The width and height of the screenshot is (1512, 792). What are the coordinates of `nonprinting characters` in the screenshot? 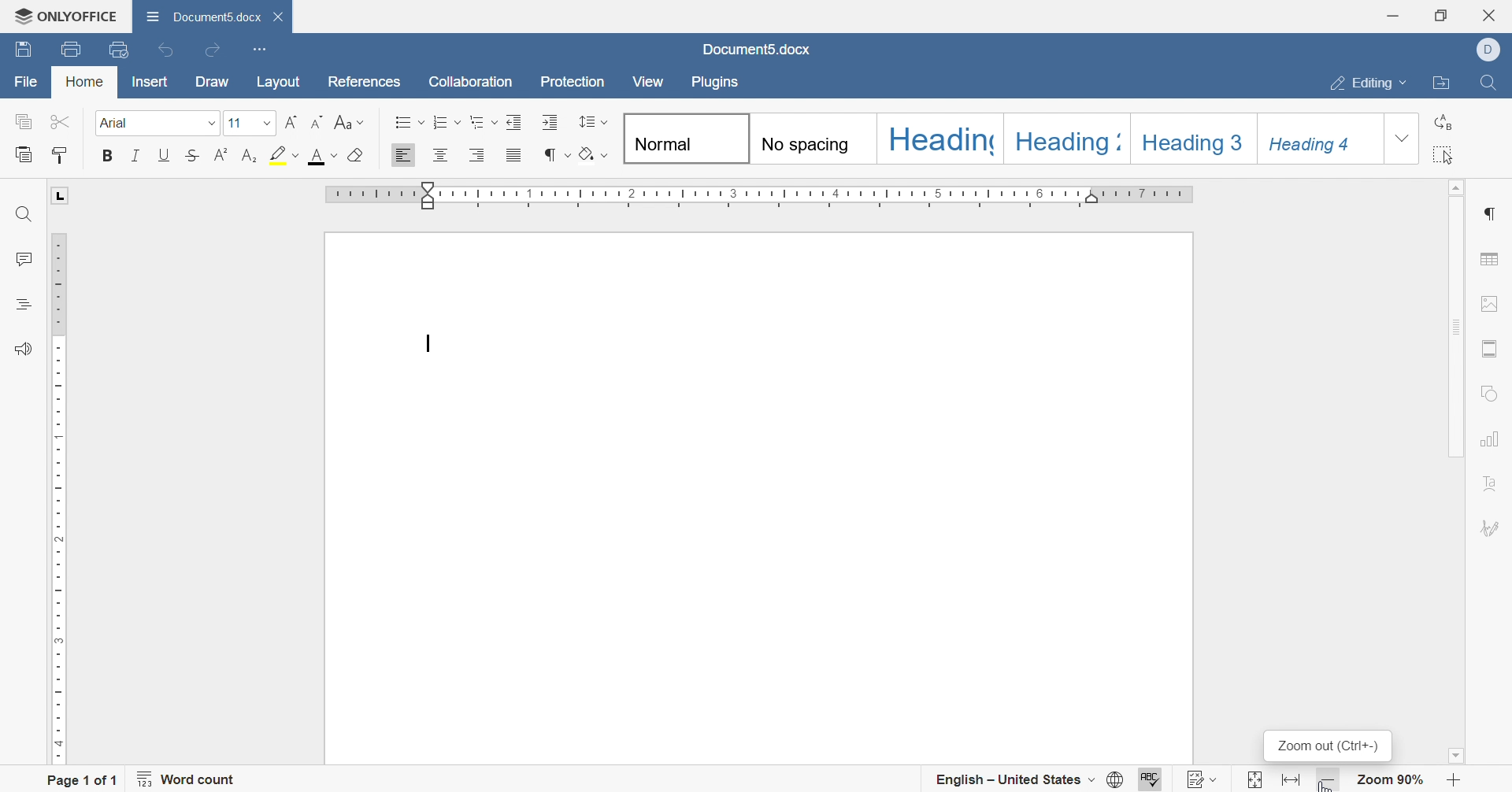 It's located at (556, 154).